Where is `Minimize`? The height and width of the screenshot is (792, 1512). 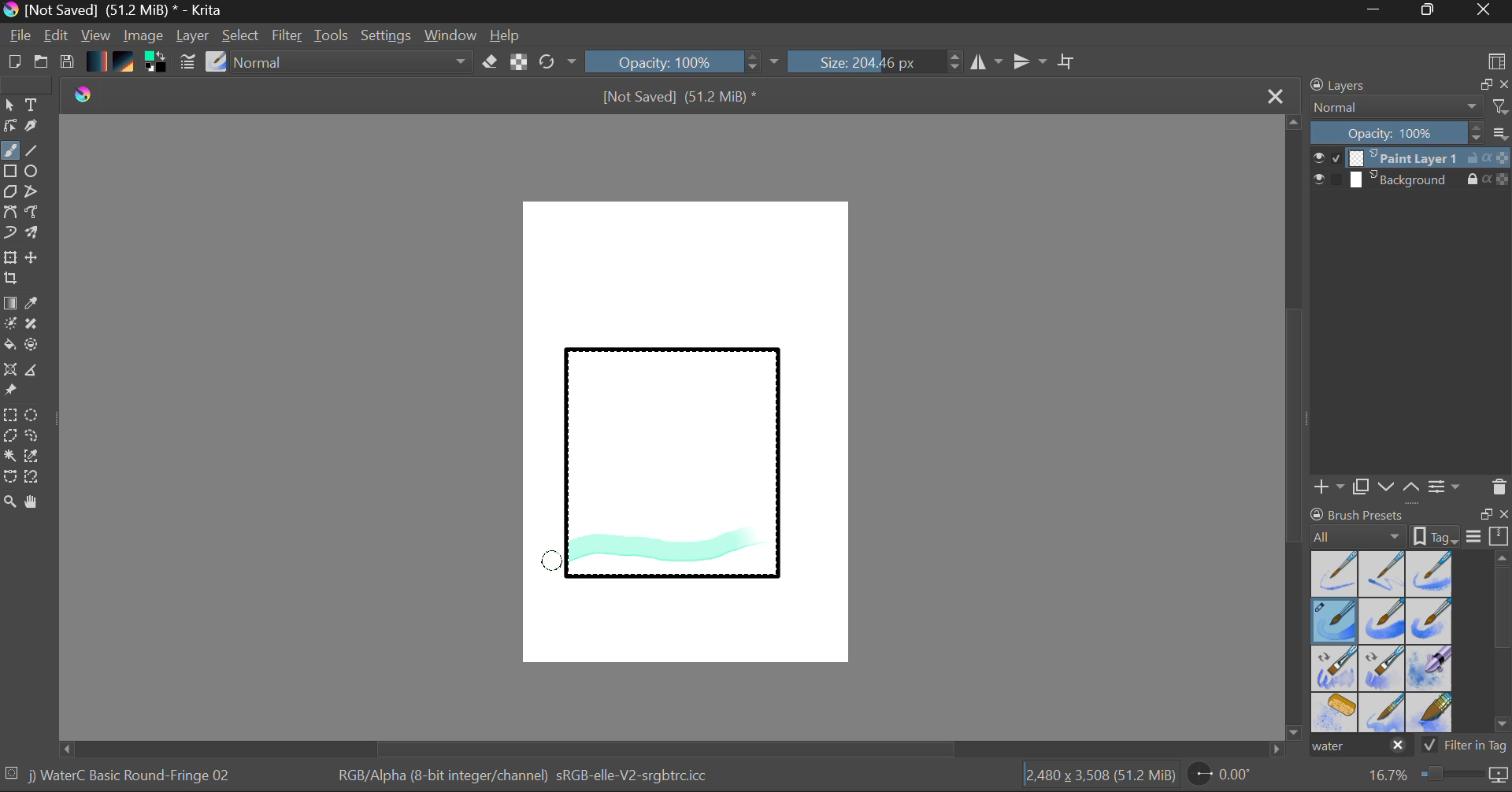
Minimize is located at coordinates (1431, 11).